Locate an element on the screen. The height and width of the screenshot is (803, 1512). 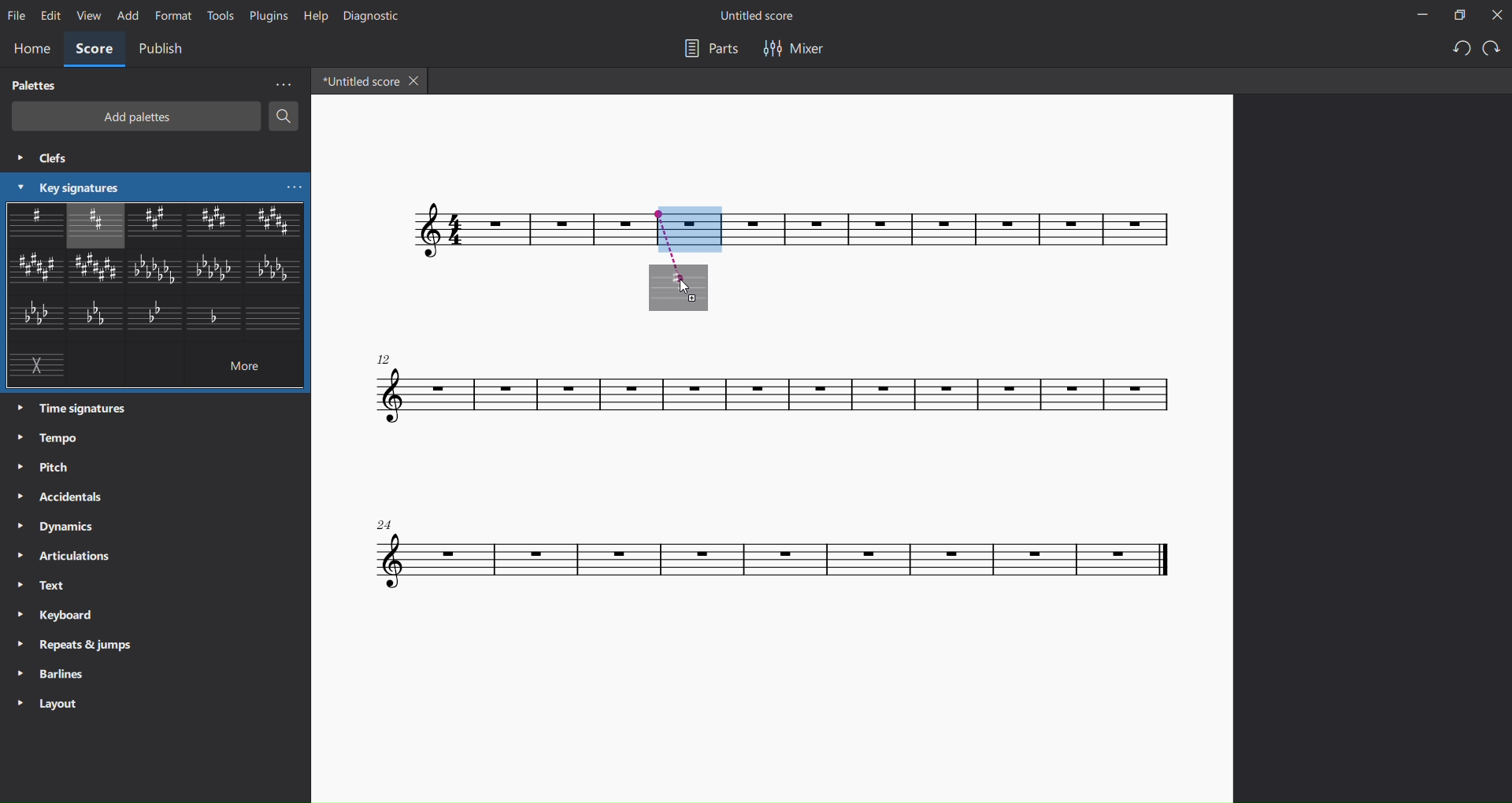
close is located at coordinates (1495, 14).